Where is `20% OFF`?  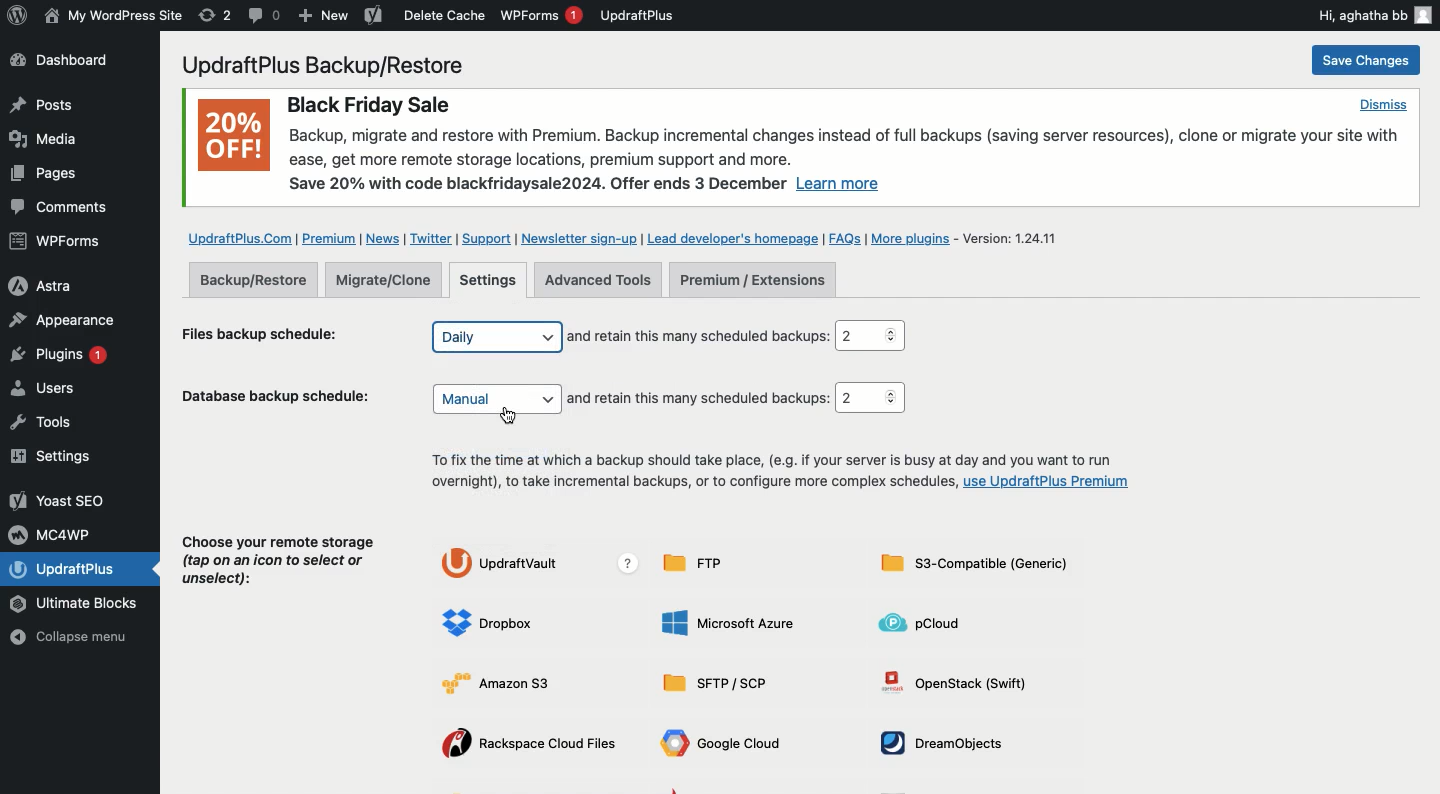
20% OFF is located at coordinates (233, 139).